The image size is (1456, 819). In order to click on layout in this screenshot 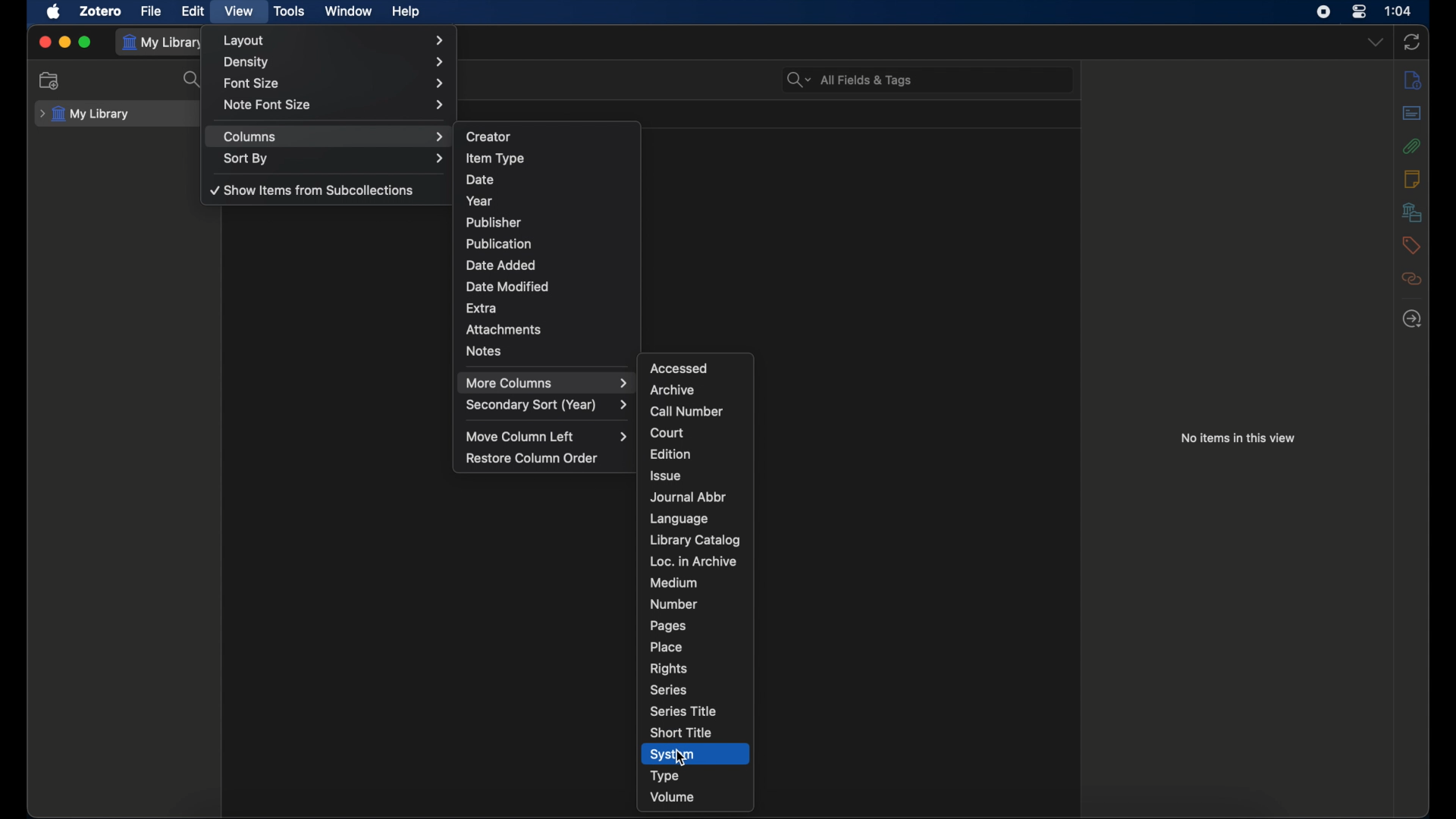, I will do `click(334, 41)`.